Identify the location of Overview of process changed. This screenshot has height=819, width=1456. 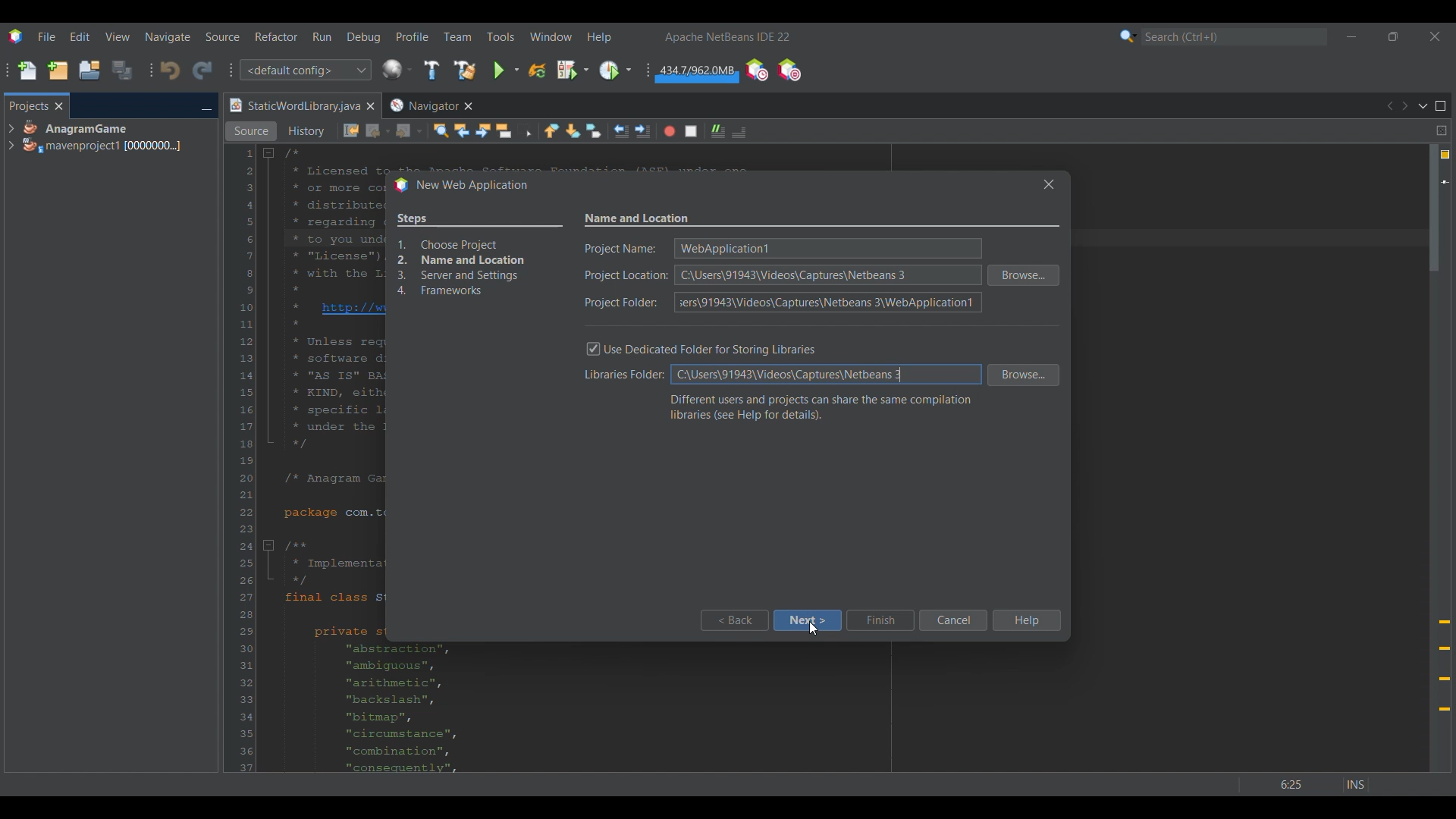
(479, 256).